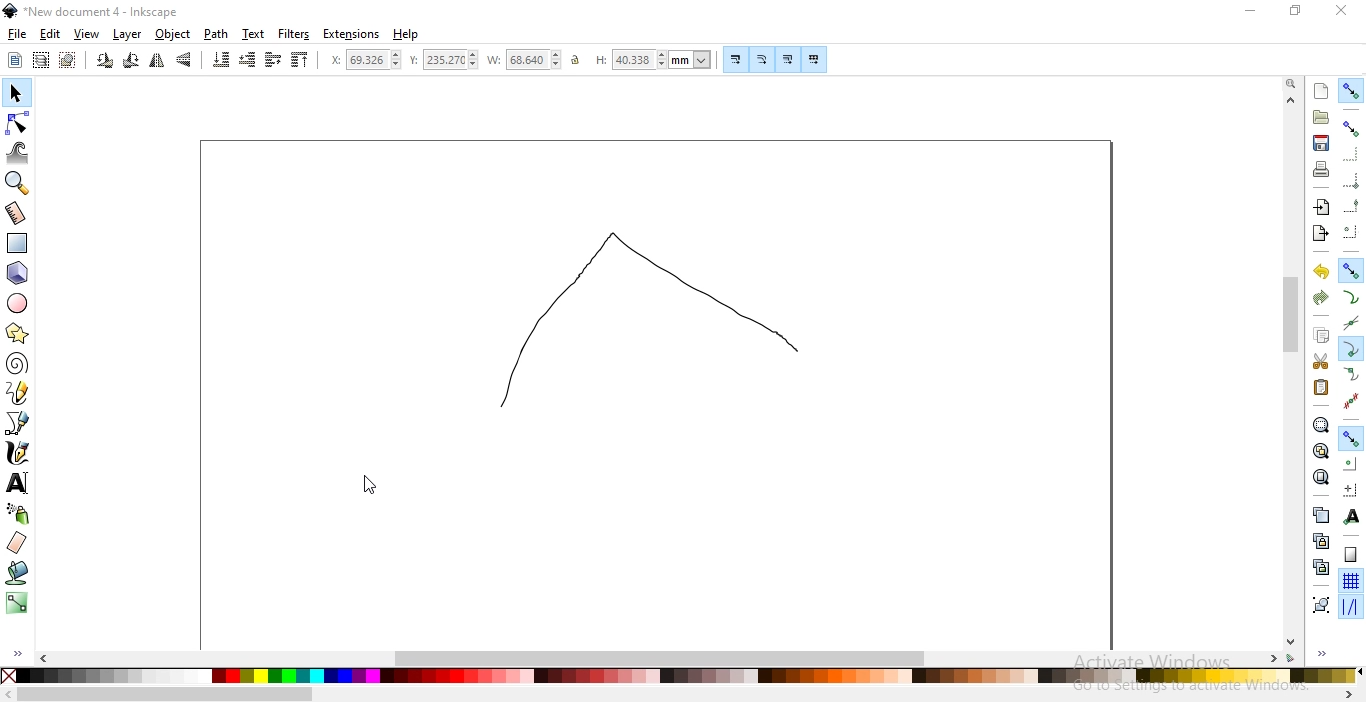 This screenshot has height=702, width=1366. What do you see at coordinates (647, 317) in the screenshot?
I see `object image` at bounding box center [647, 317].